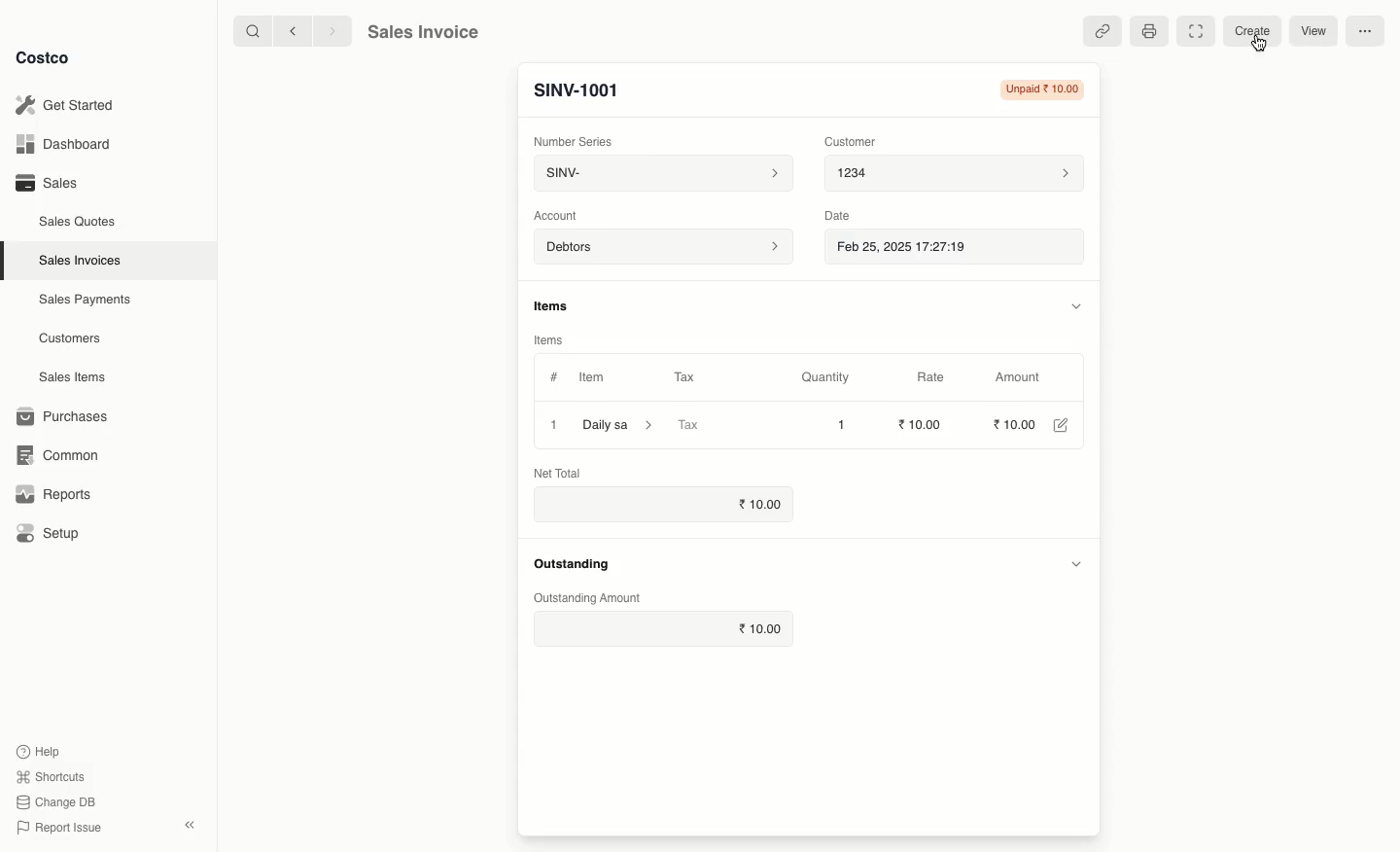 The width and height of the screenshot is (1400, 852). What do you see at coordinates (549, 337) in the screenshot?
I see `Items` at bounding box center [549, 337].